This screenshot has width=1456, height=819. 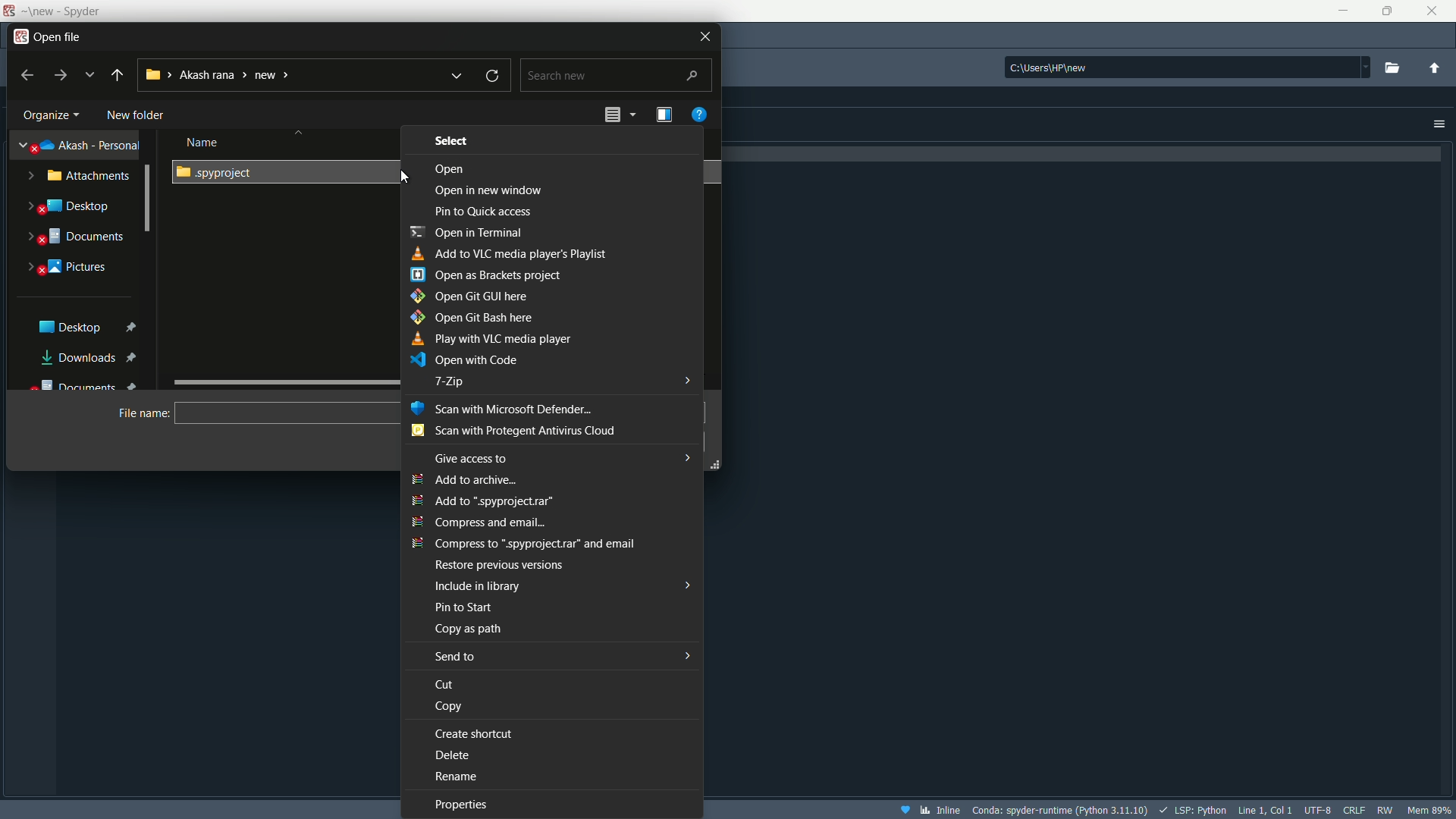 What do you see at coordinates (52, 116) in the screenshot?
I see `organize` at bounding box center [52, 116].